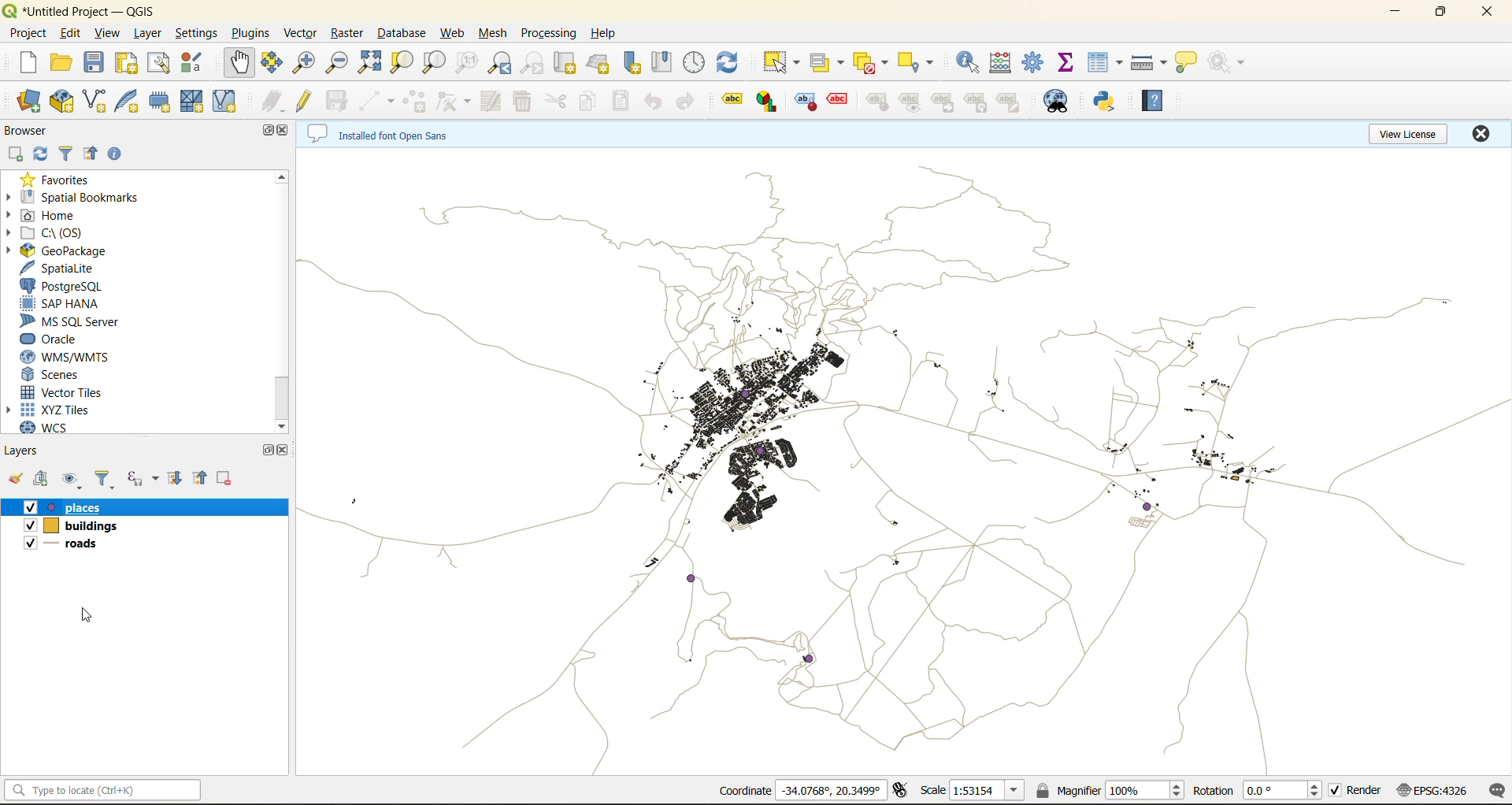 The height and width of the screenshot is (805, 1512). Describe the element at coordinates (600, 63) in the screenshot. I see `new 3d map` at that location.